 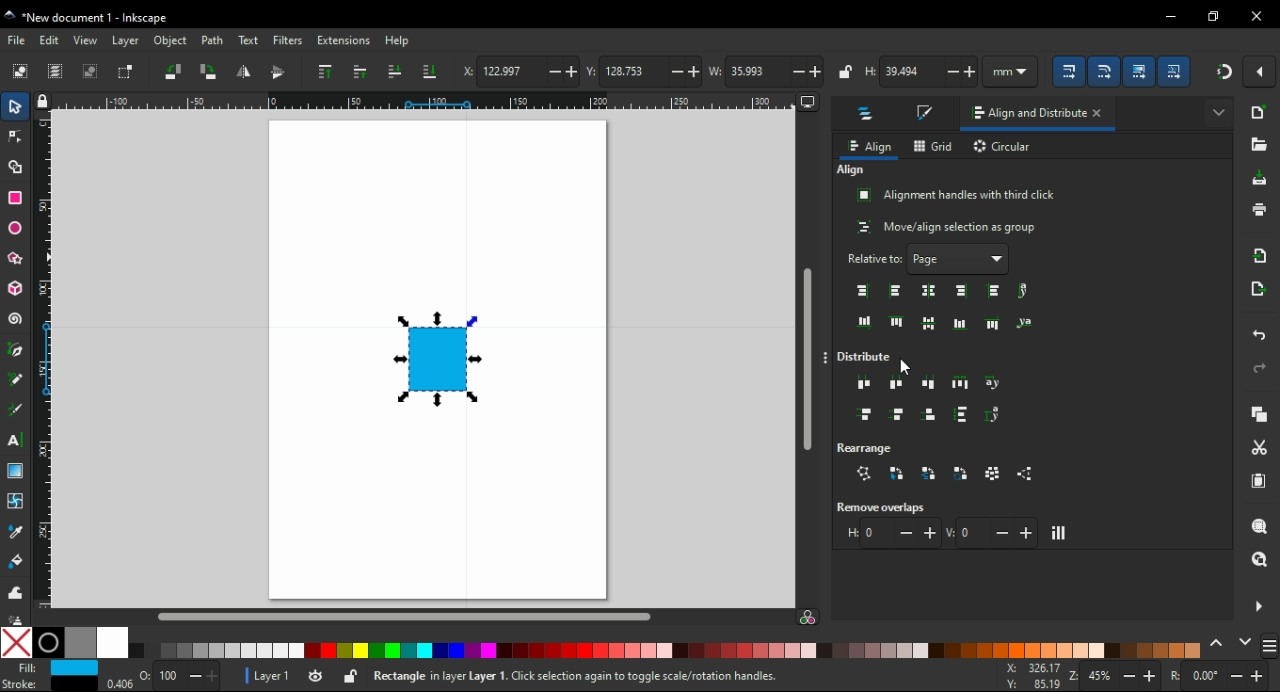 I want to click on mesh tool, so click(x=16, y=500).